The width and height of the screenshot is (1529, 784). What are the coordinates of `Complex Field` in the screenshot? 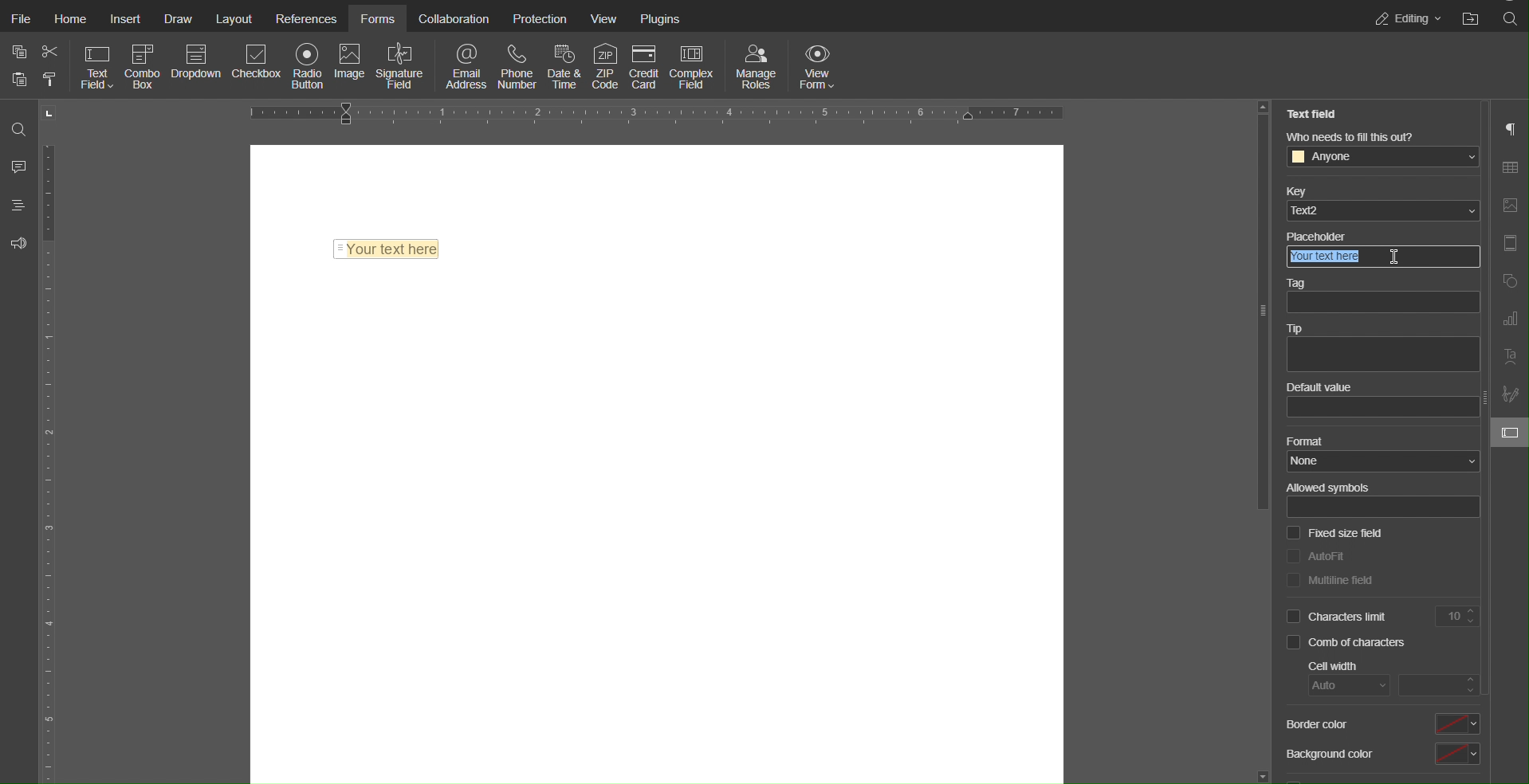 It's located at (694, 67).